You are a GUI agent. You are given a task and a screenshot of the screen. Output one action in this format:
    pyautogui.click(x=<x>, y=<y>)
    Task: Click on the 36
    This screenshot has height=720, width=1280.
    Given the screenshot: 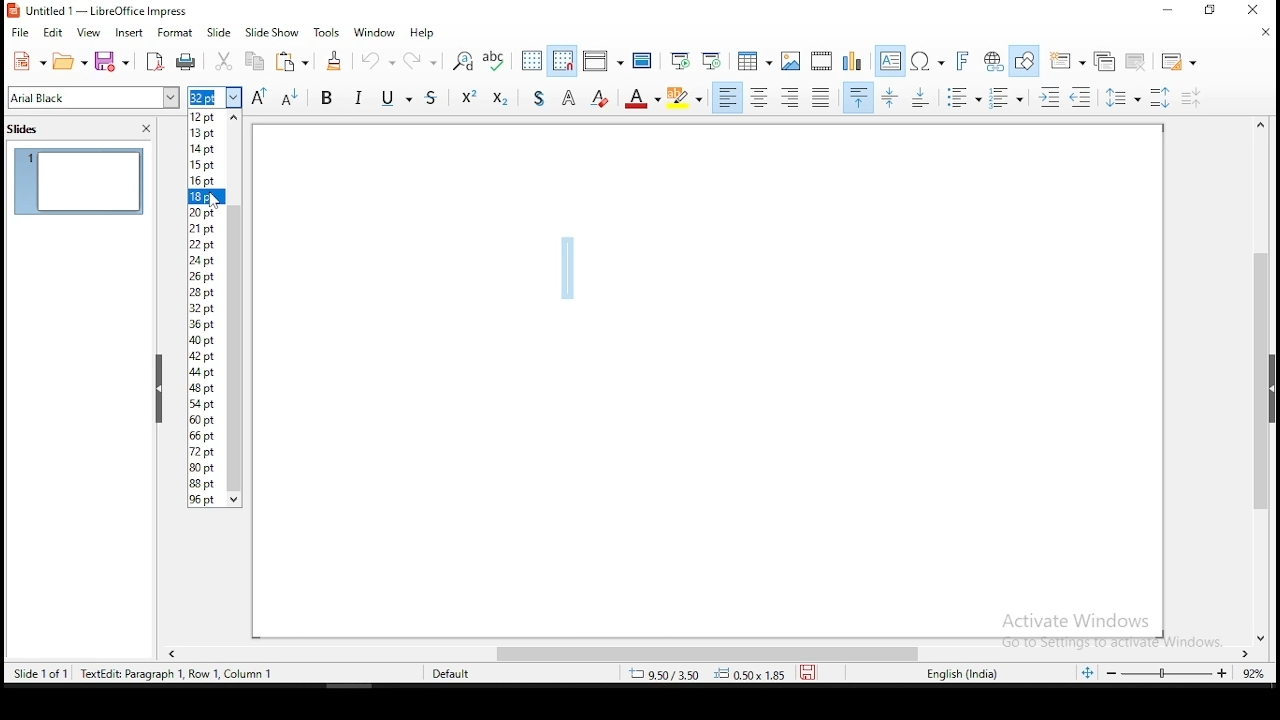 What is the action you would take?
    pyautogui.click(x=206, y=323)
    